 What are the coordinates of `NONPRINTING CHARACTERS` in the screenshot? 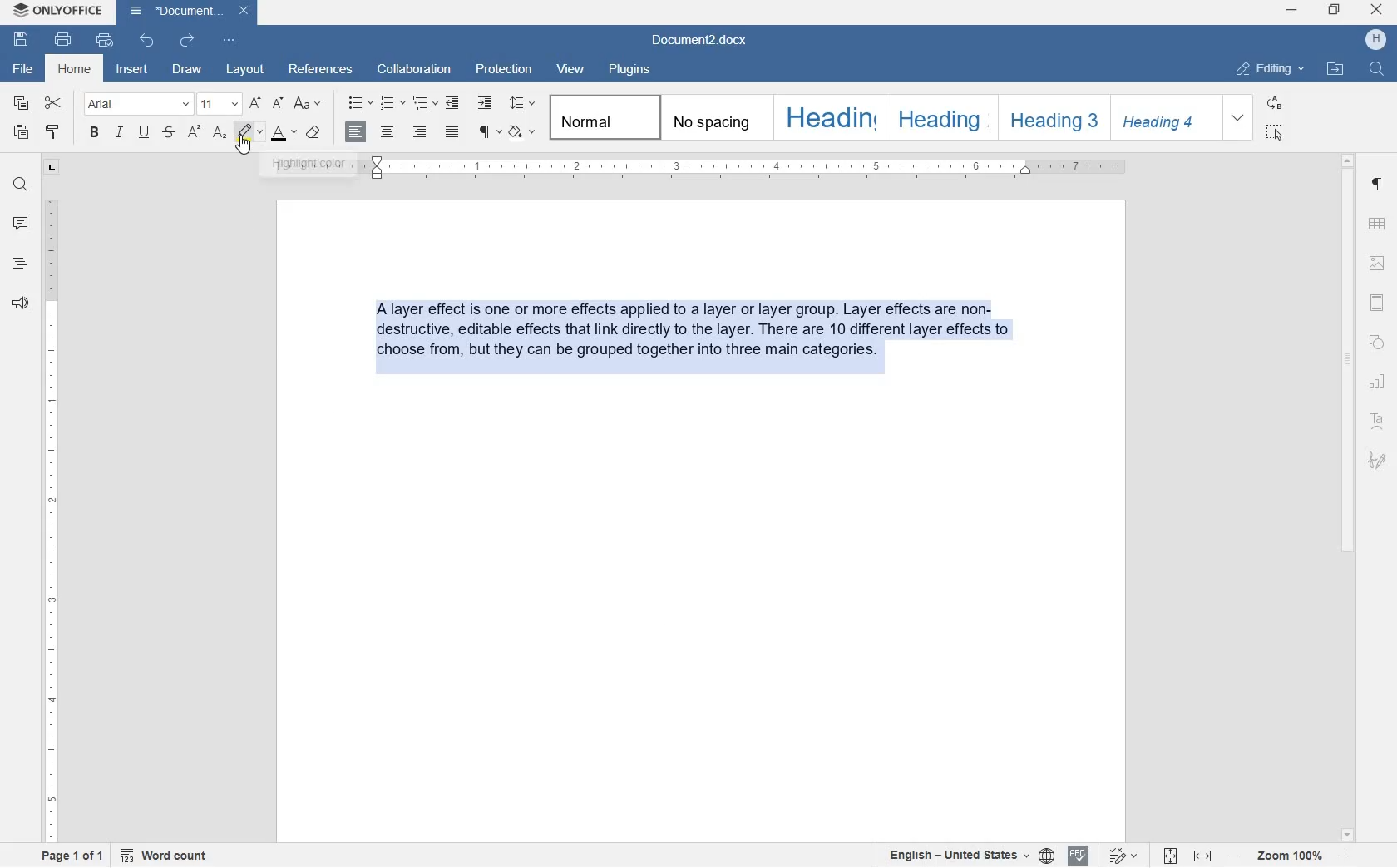 It's located at (488, 132).